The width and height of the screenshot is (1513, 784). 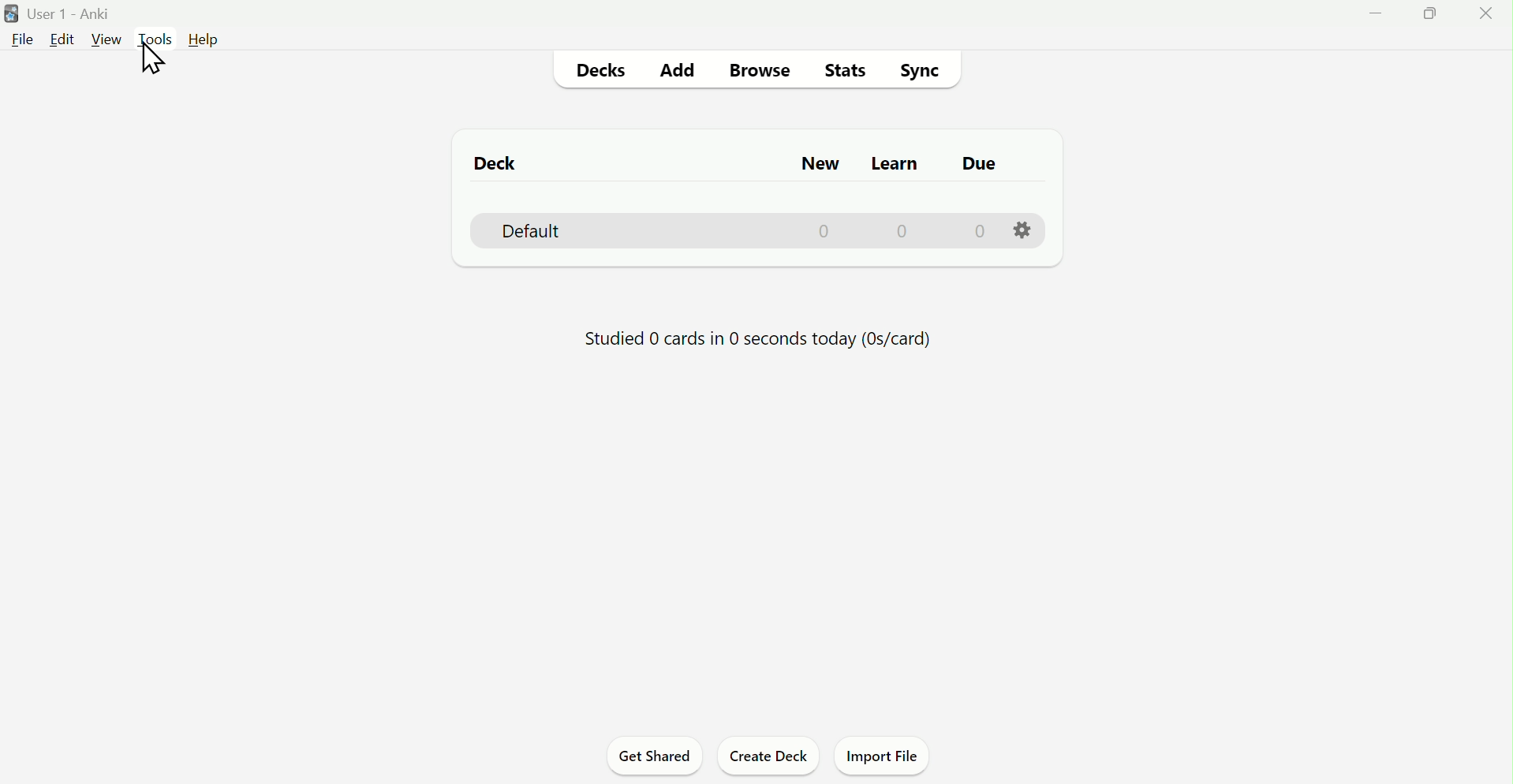 I want to click on Minimise, so click(x=1376, y=13).